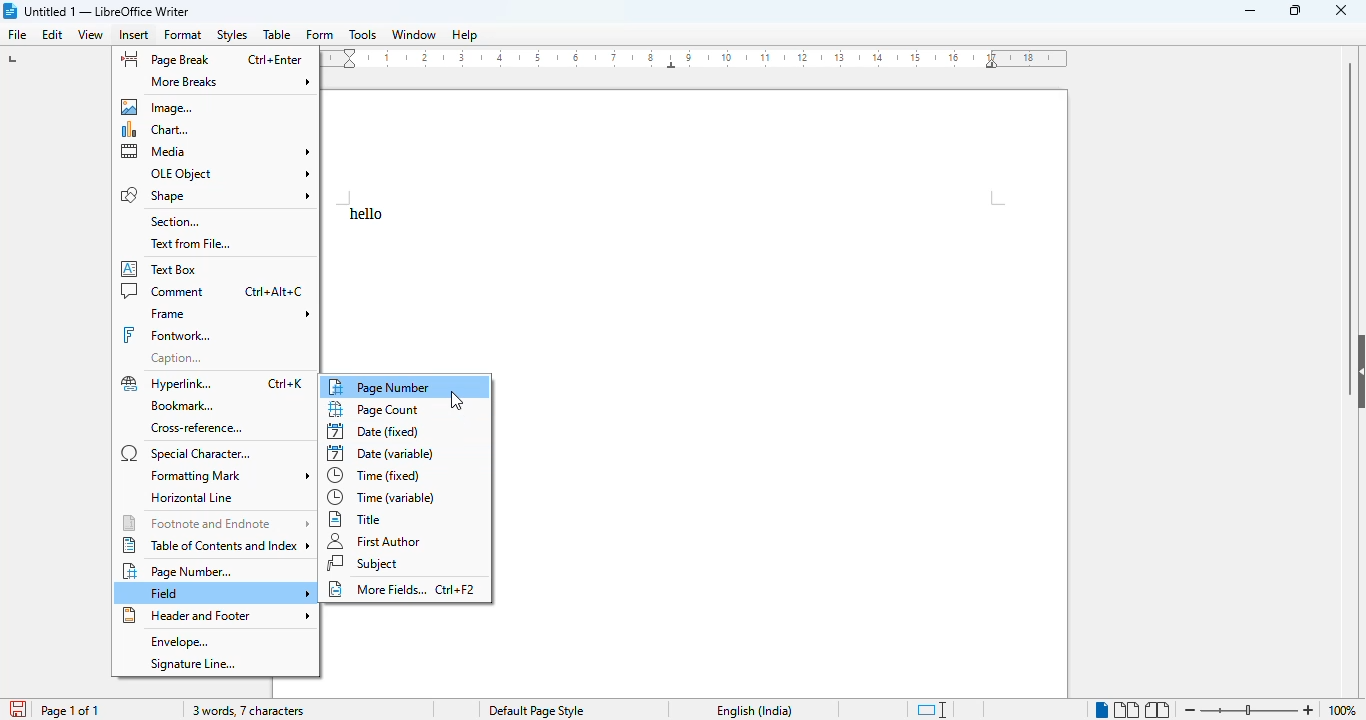 The width and height of the screenshot is (1366, 720). What do you see at coordinates (456, 401) in the screenshot?
I see `cursor` at bounding box center [456, 401].